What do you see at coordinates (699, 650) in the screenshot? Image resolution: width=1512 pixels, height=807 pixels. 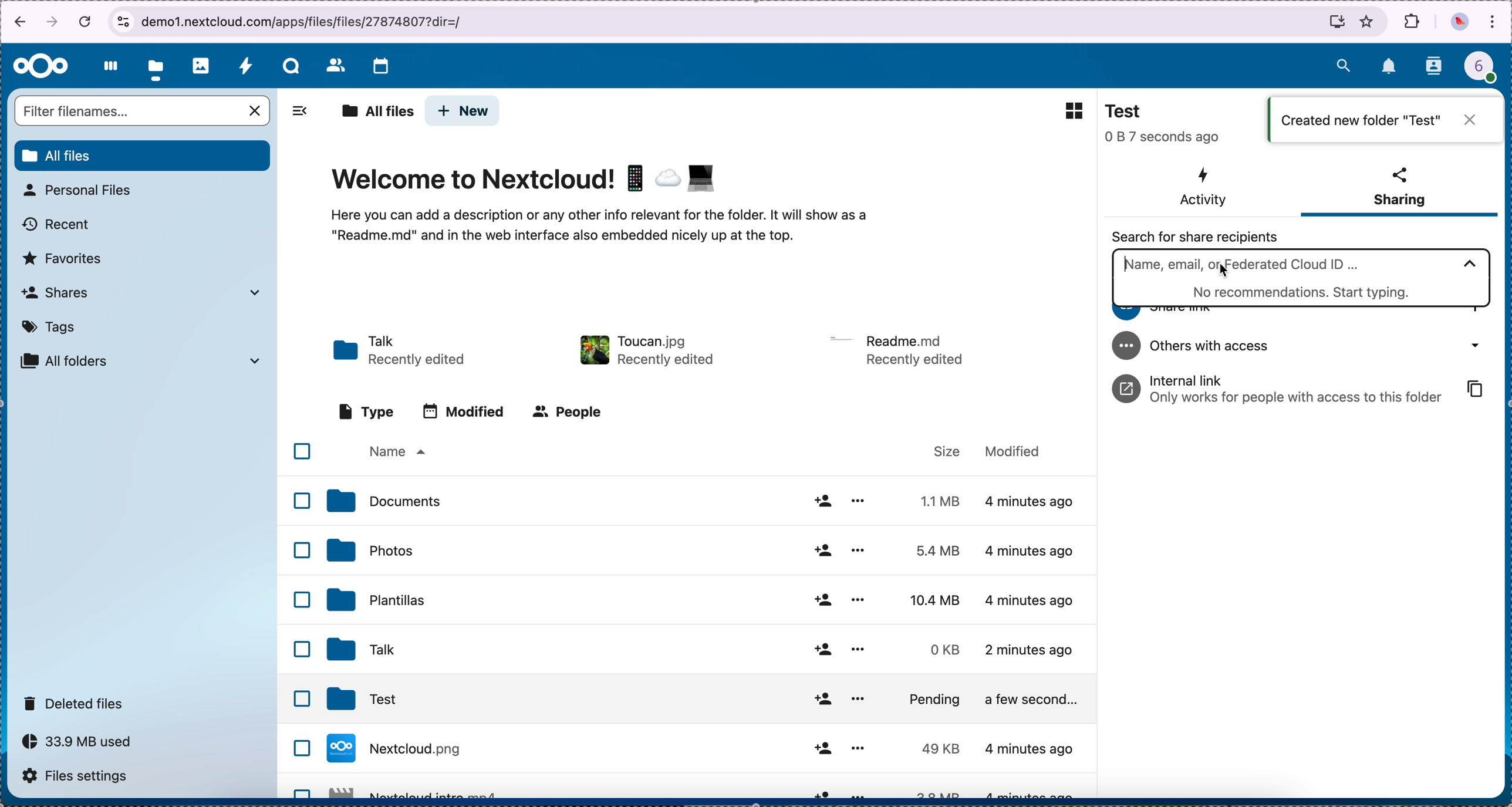 I see `Talk` at bounding box center [699, 650].